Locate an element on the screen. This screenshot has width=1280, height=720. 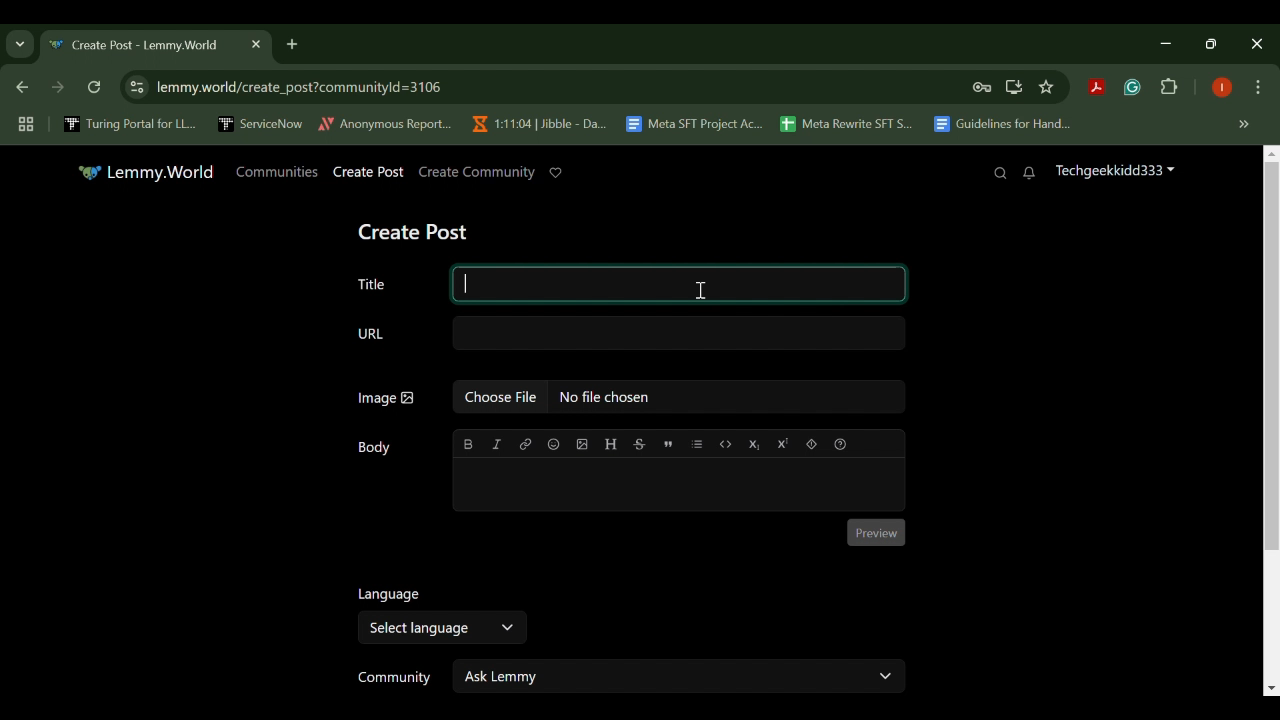
Cursor on Post Title Field is located at coordinates (701, 287).